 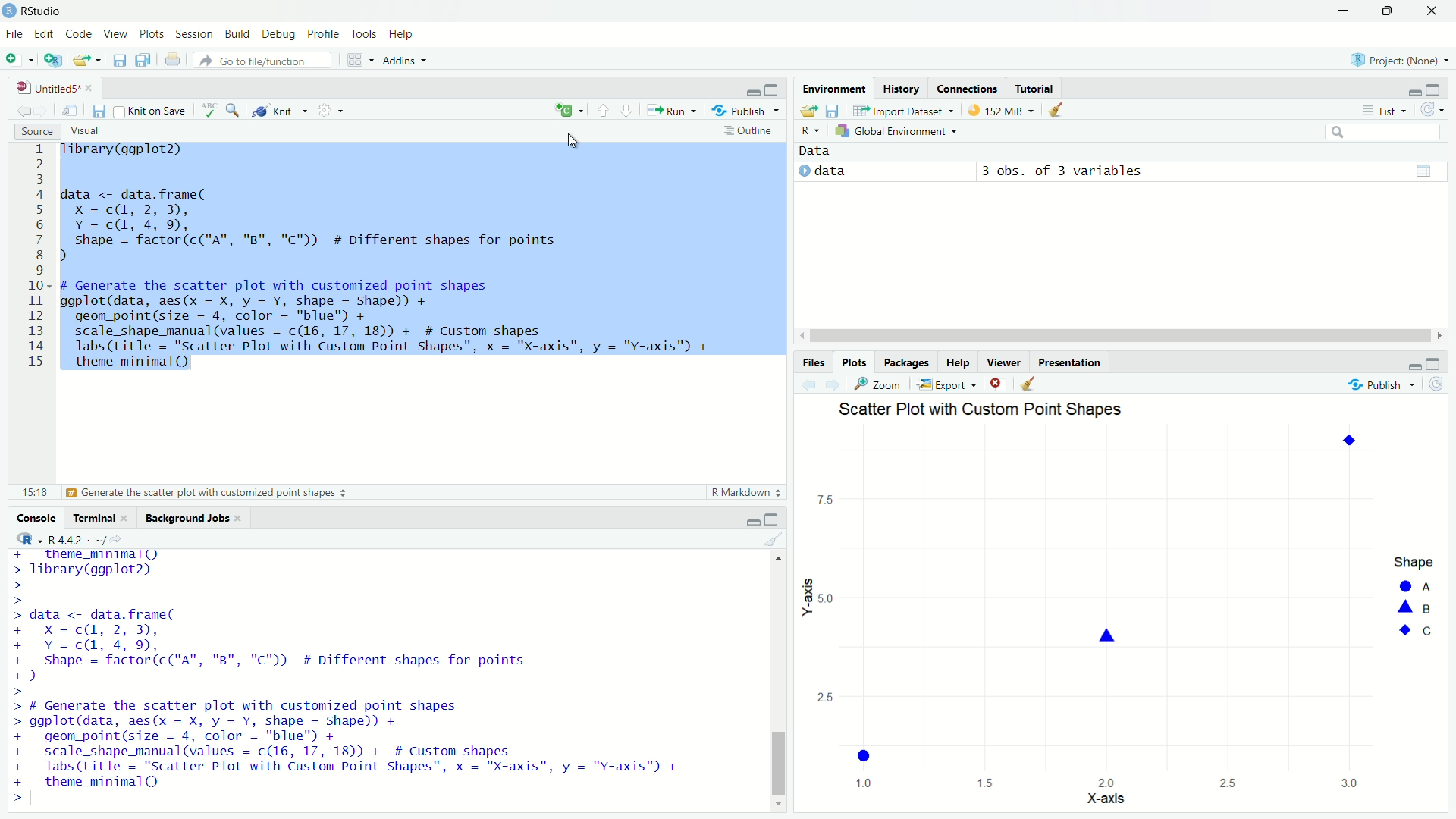 I want to click on close, so click(x=1432, y=11).